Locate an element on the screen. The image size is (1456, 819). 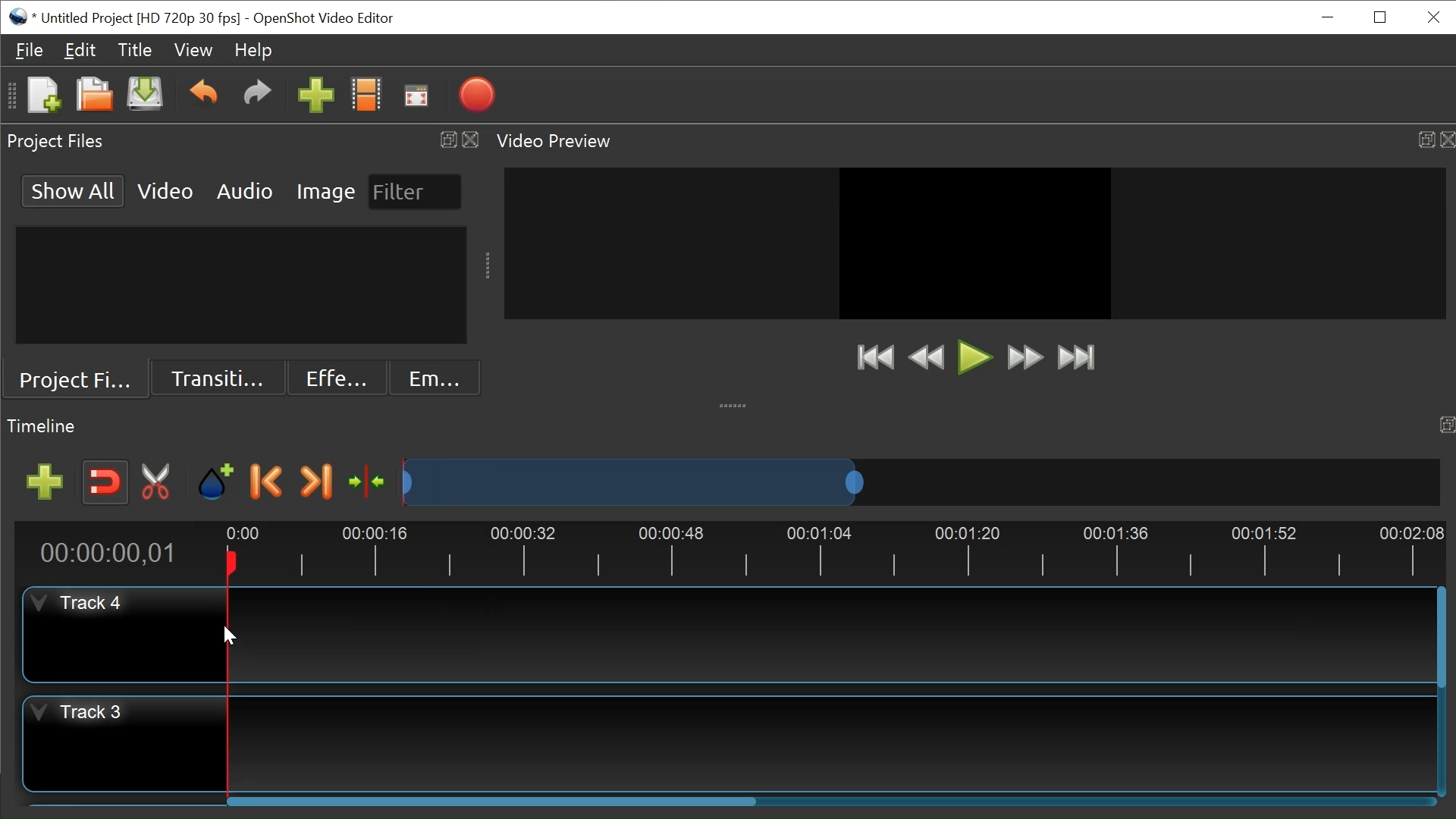
Project Files is located at coordinates (75, 381).